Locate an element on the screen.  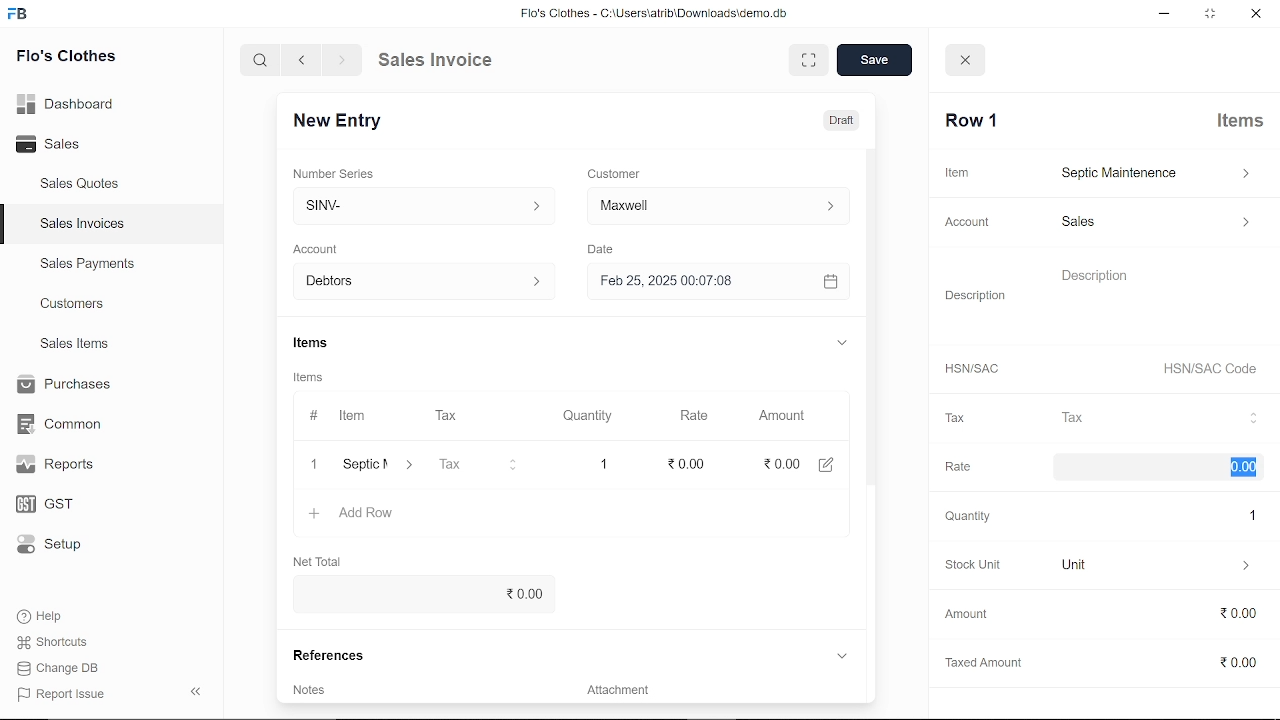
‘Number Series is located at coordinates (338, 173).